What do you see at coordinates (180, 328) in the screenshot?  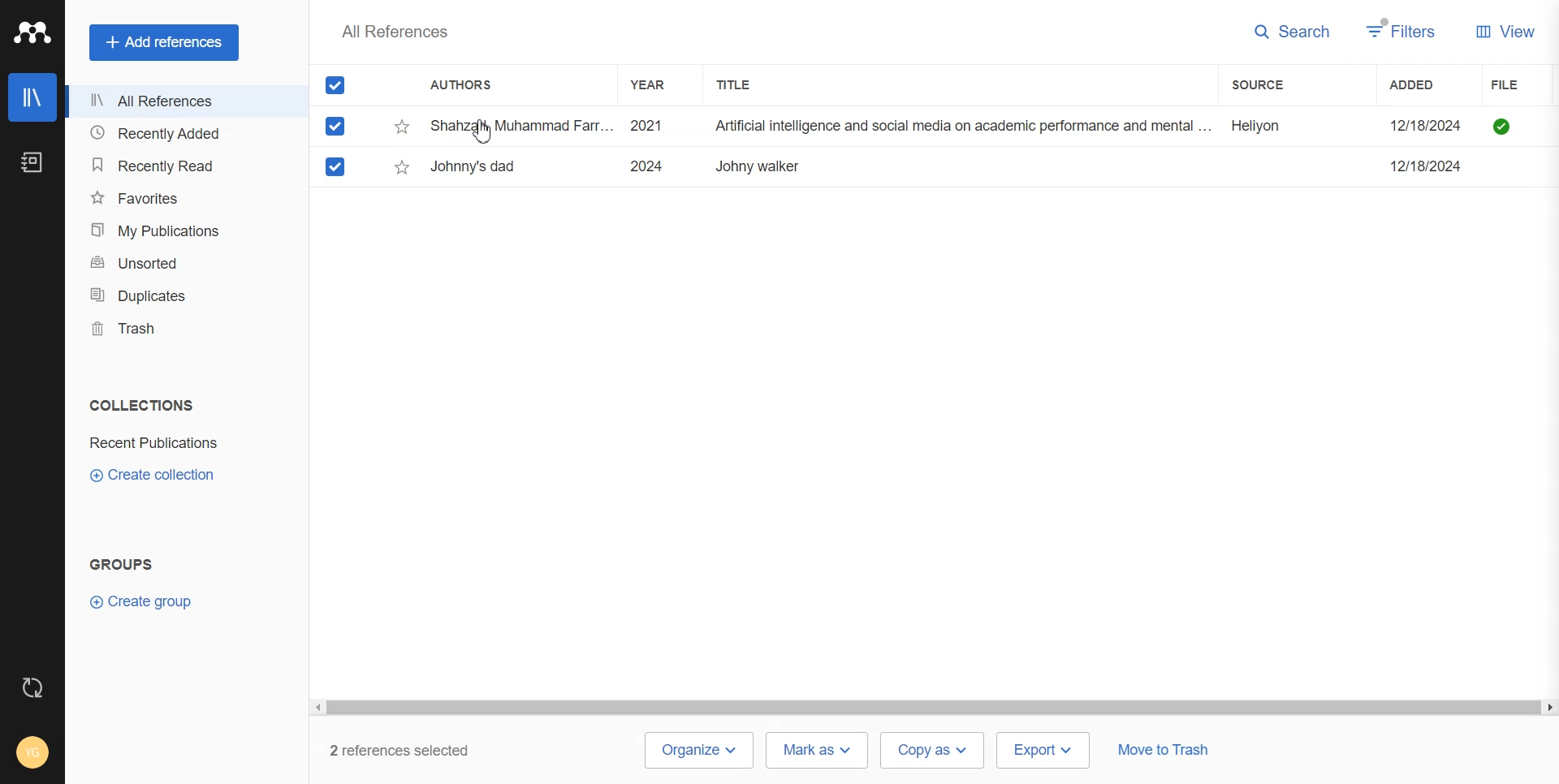 I see `Trash` at bounding box center [180, 328].